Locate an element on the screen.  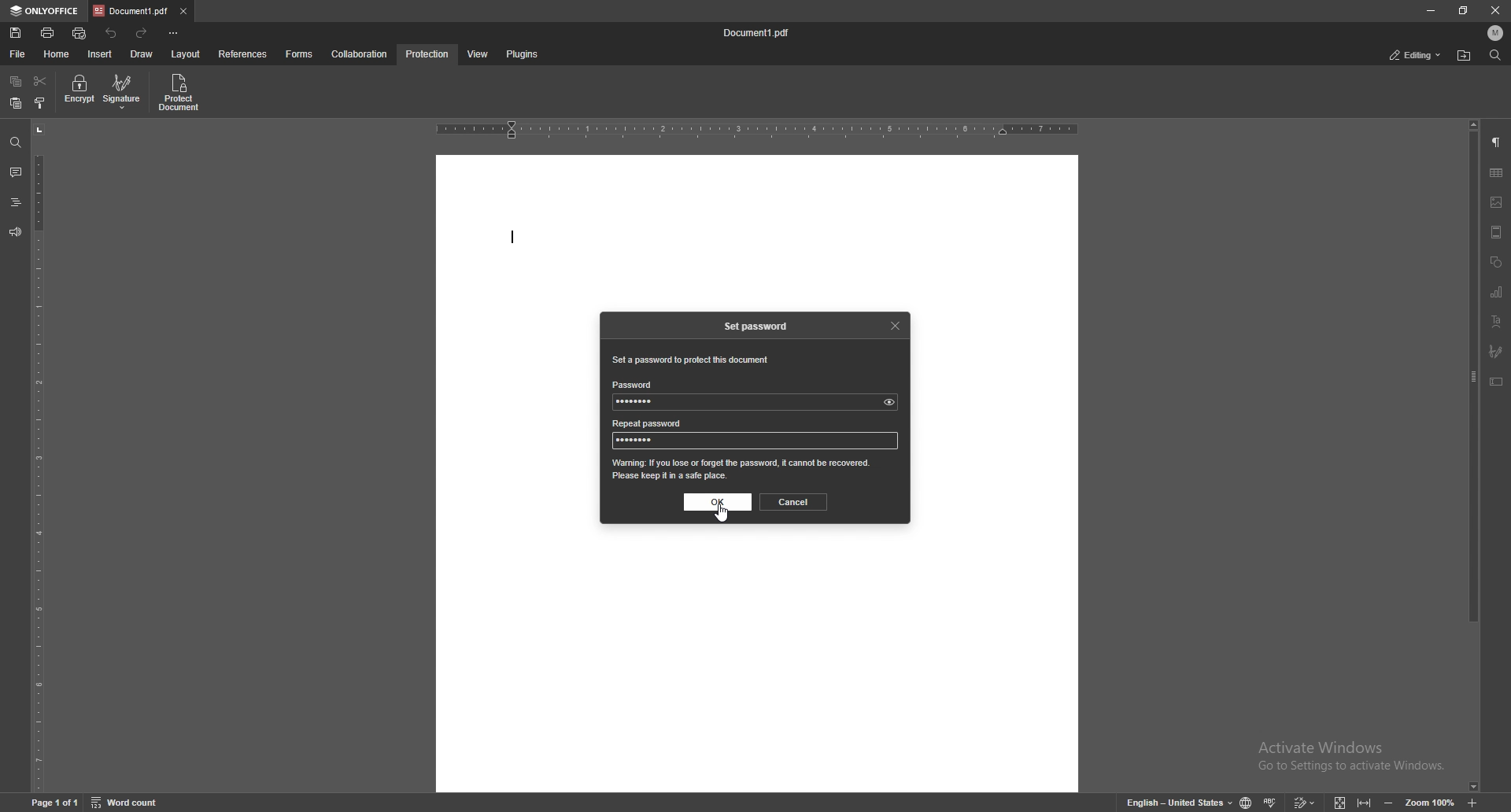
copy is located at coordinates (15, 82).